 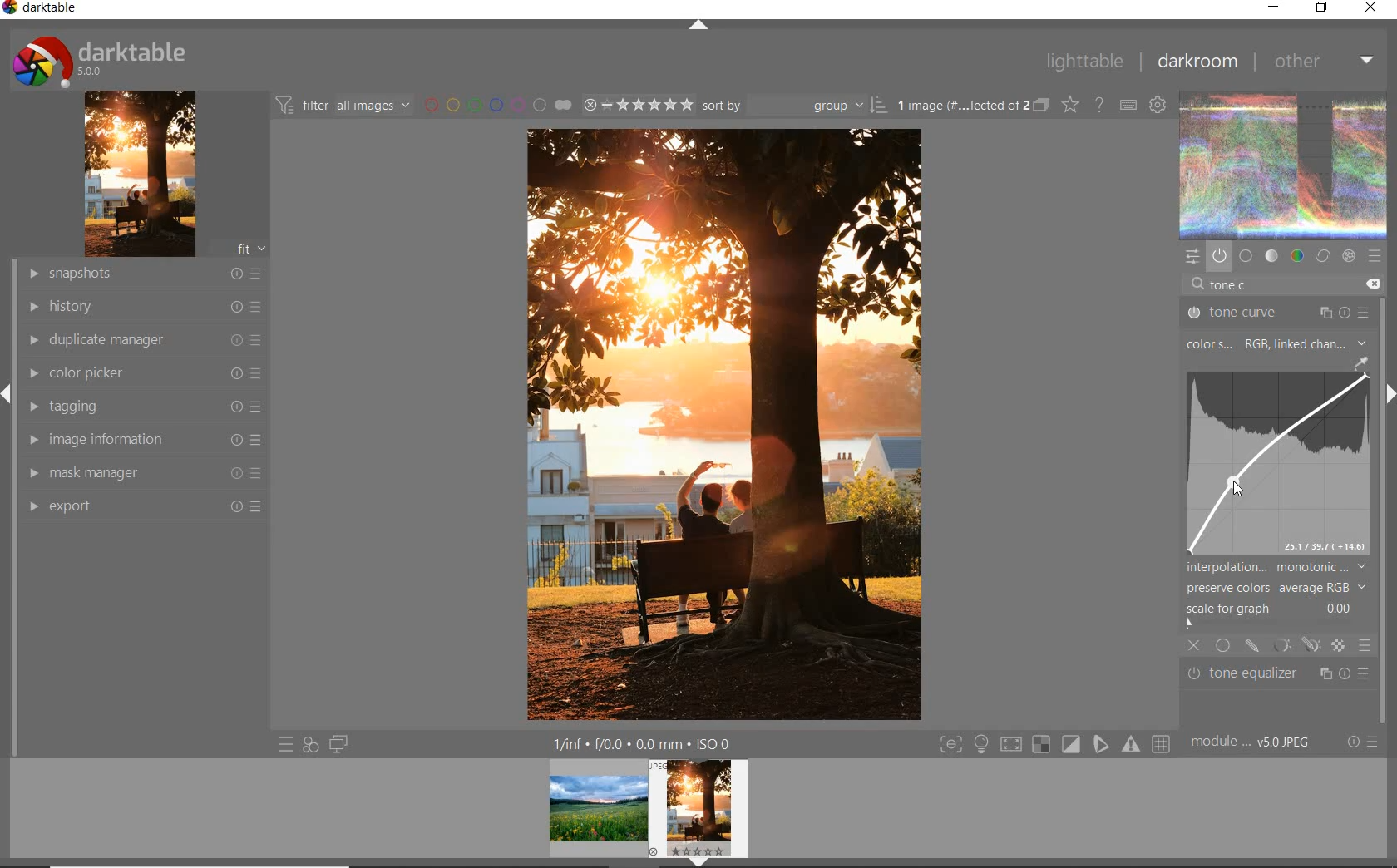 I want to click on preserve colors, so click(x=1274, y=588).